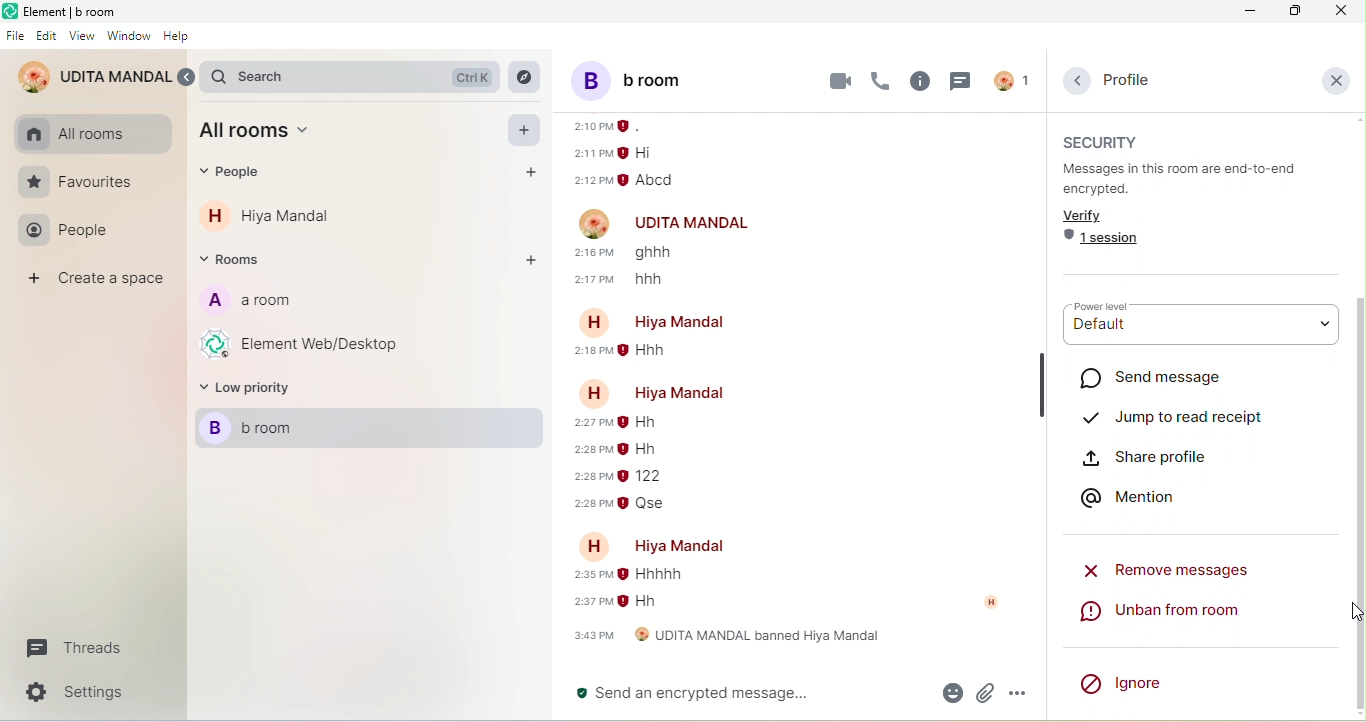 This screenshot has width=1366, height=722. What do you see at coordinates (695, 224) in the screenshot?
I see `udita mandal` at bounding box center [695, 224].